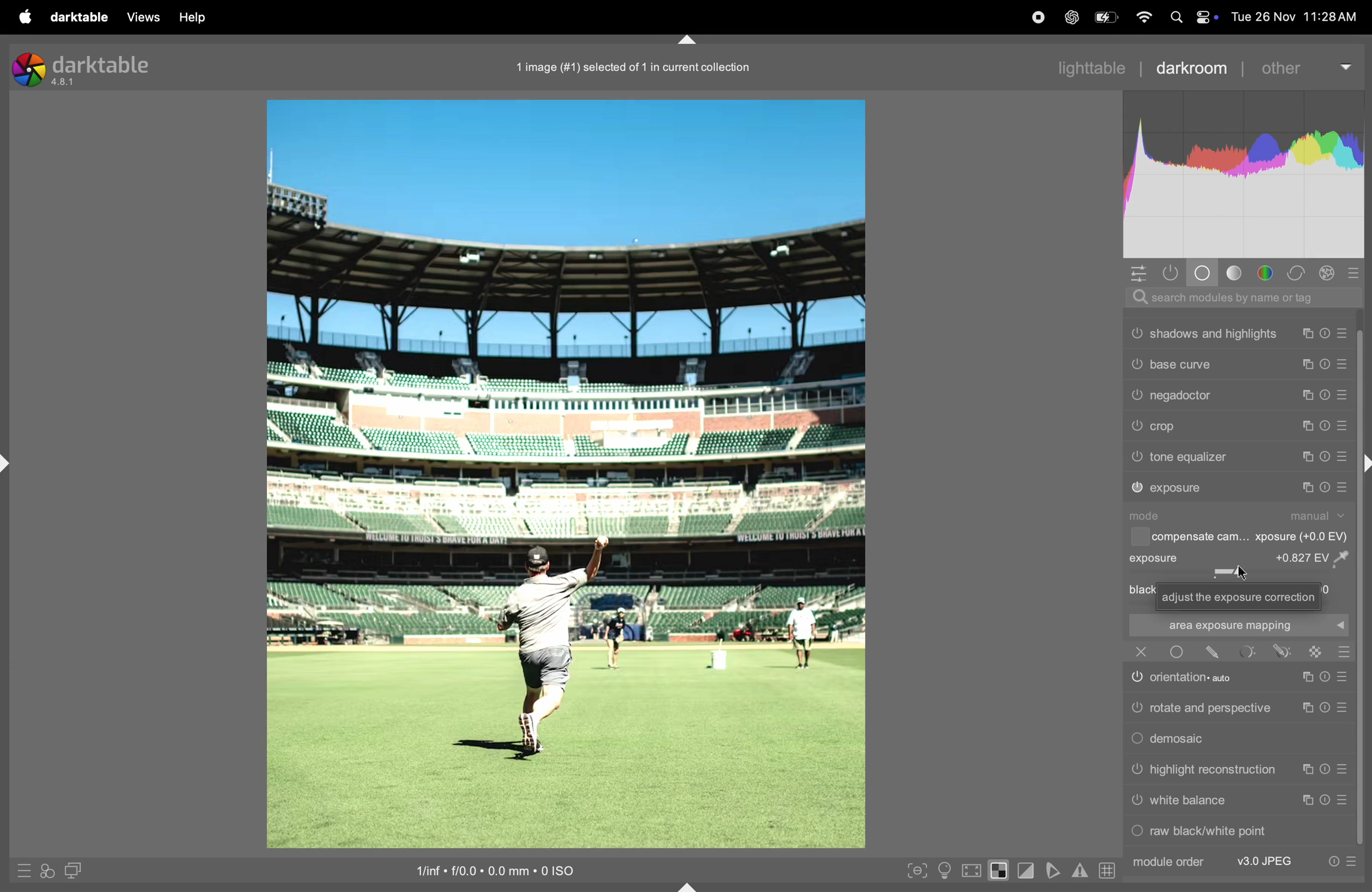 This screenshot has height=892, width=1372. What do you see at coordinates (1189, 67) in the screenshot?
I see `darkroom` at bounding box center [1189, 67].